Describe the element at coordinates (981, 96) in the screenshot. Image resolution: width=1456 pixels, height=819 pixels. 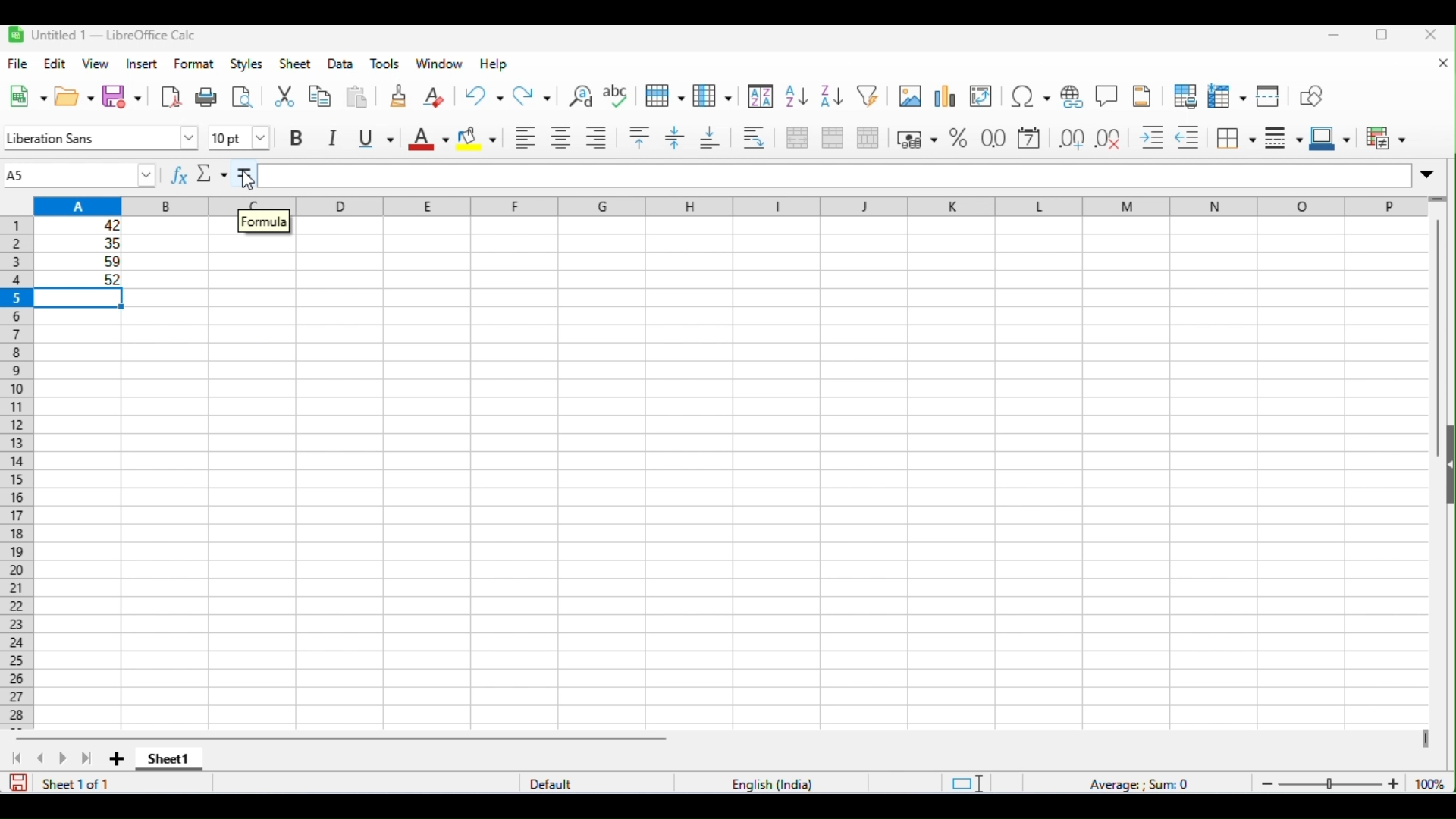
I see `insert or edit pivot table` at that location.